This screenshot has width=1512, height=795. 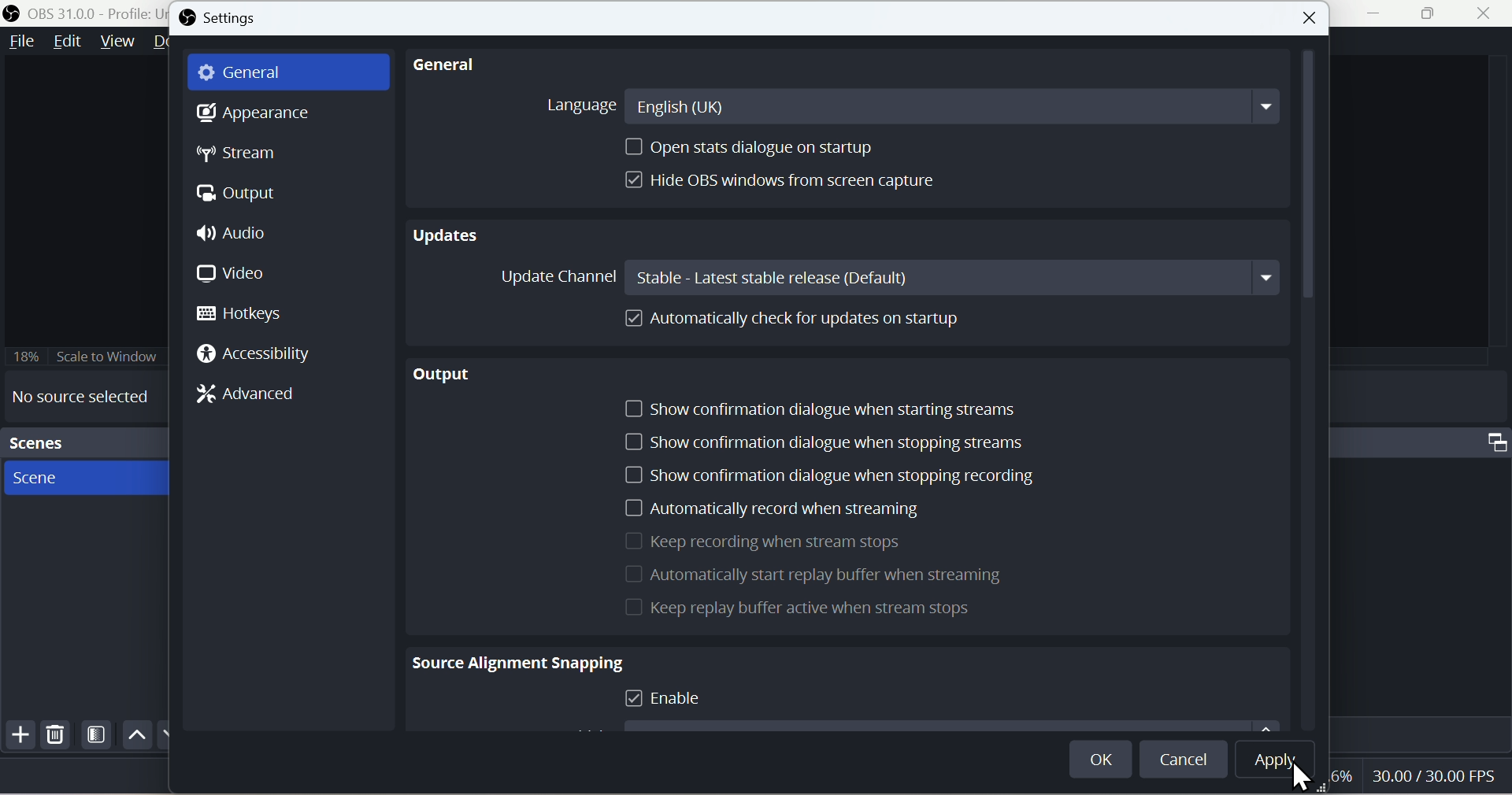 I want to click on English(UK), so click(x=954, y=105).